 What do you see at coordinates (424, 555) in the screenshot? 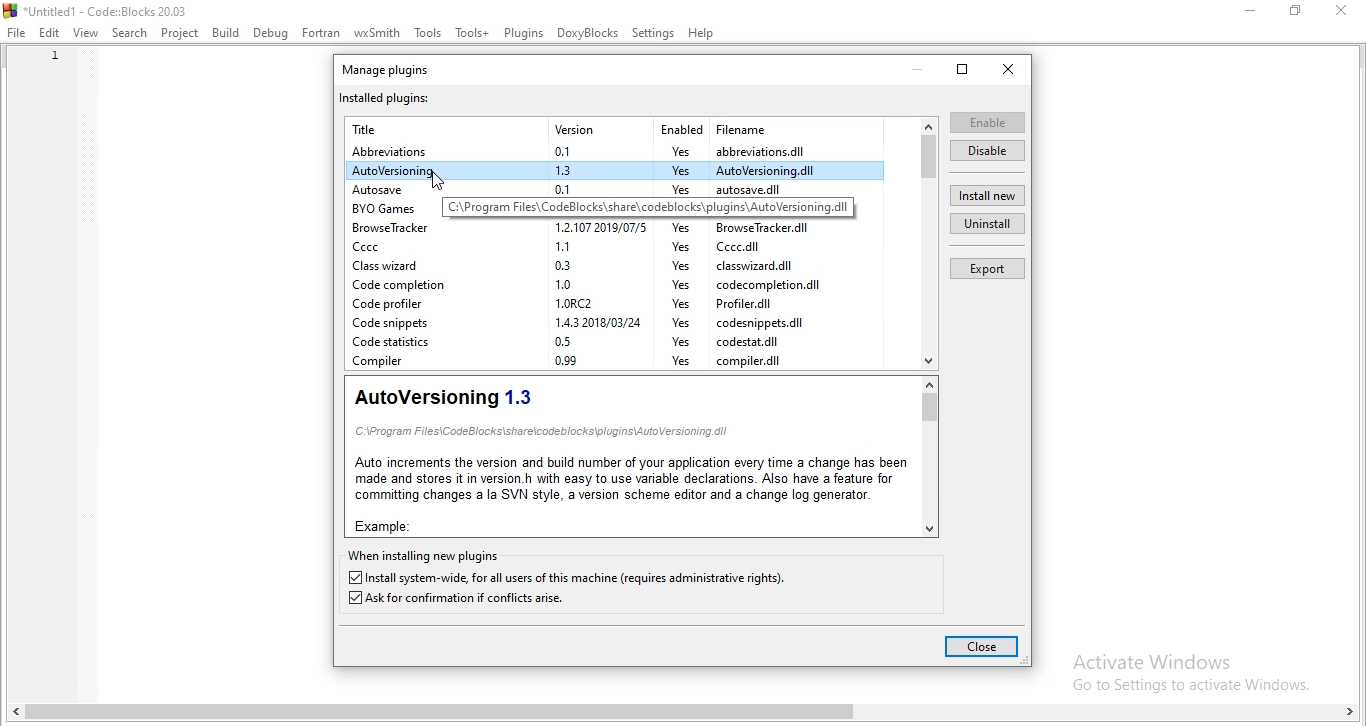
I see `when installing new pluginsa` at bounding box center [424, 555].